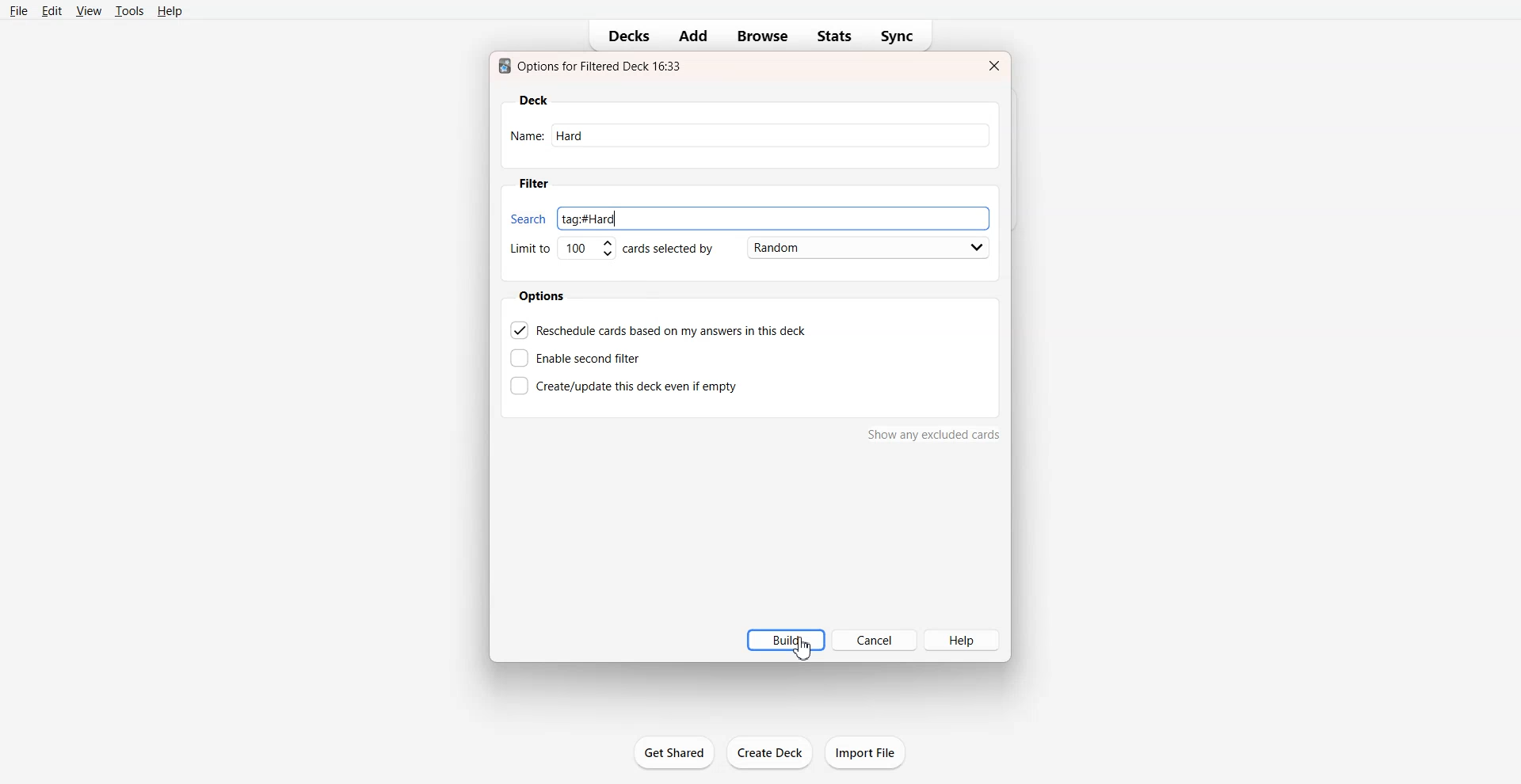 The width and height of the screenshot is (1521, 784). What do you see at coordinates (834, 36) in the screenshot?
I see `Stats` at bounding box center [834, 36].